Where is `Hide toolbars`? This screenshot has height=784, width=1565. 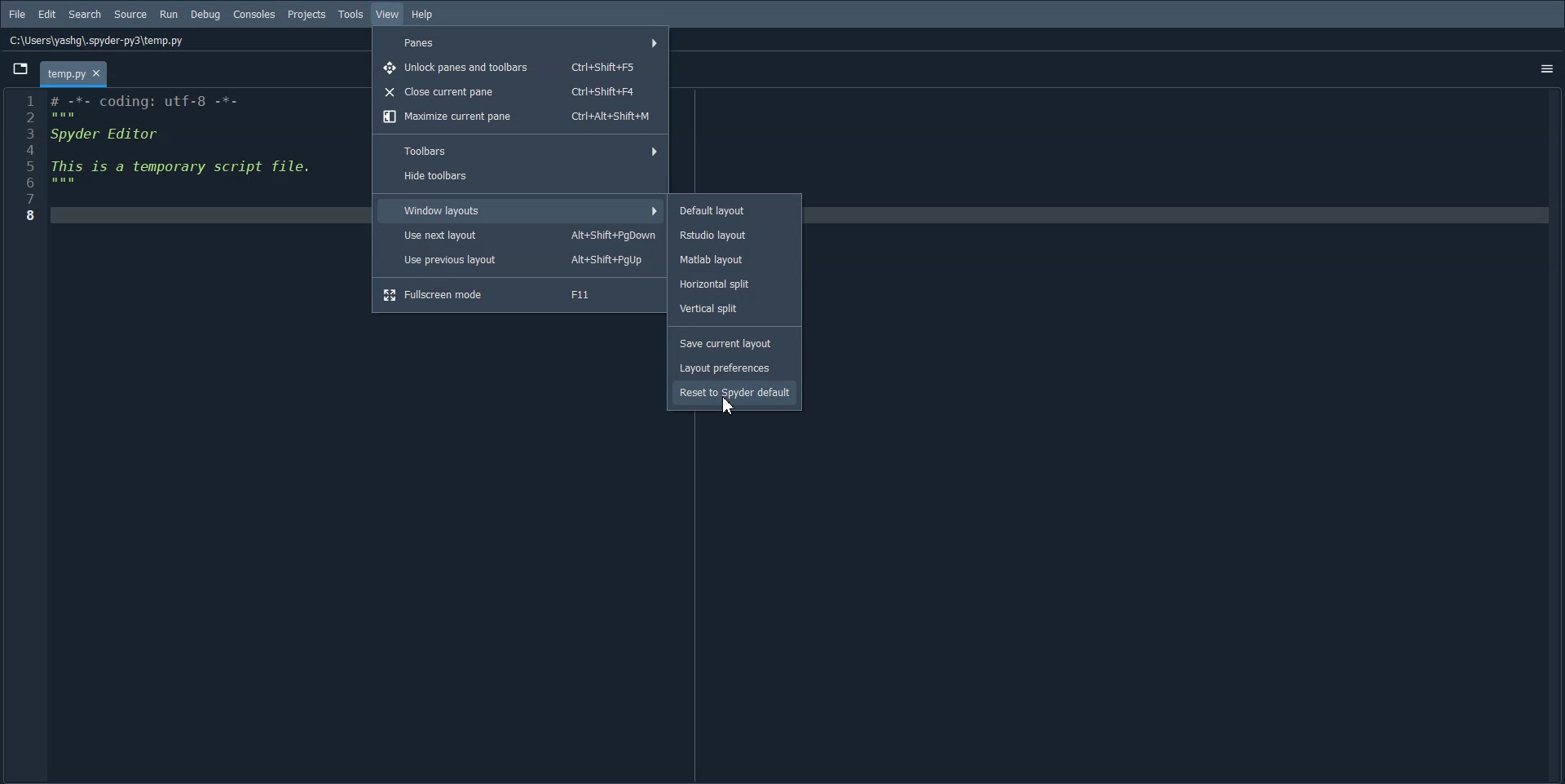 Hide toolbars is located at coordinates (522, 176).